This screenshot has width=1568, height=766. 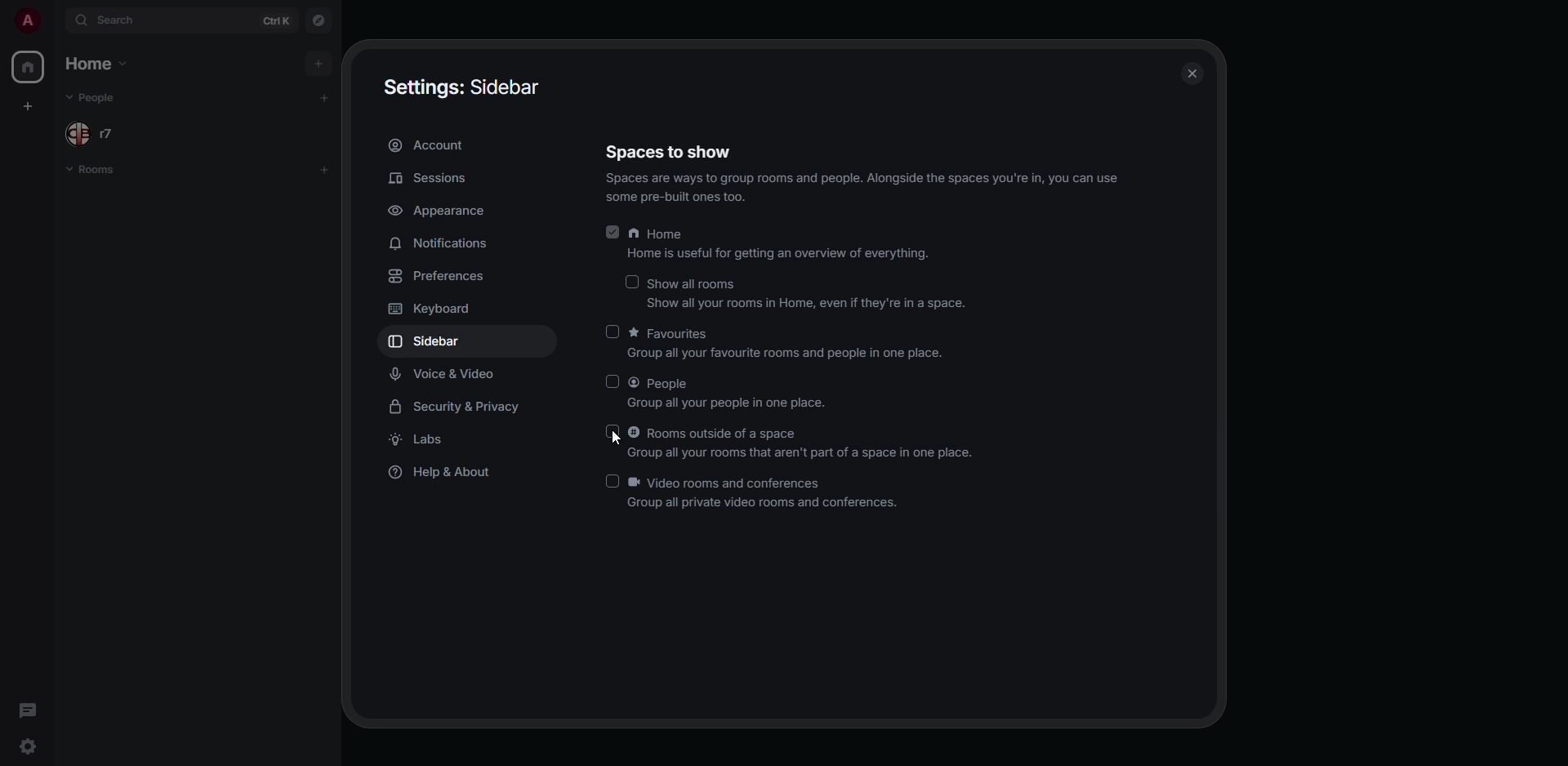 What do you see at coordinates (29, 709) in the screenshot?
I see `threads` at bounding box center [29, 709].